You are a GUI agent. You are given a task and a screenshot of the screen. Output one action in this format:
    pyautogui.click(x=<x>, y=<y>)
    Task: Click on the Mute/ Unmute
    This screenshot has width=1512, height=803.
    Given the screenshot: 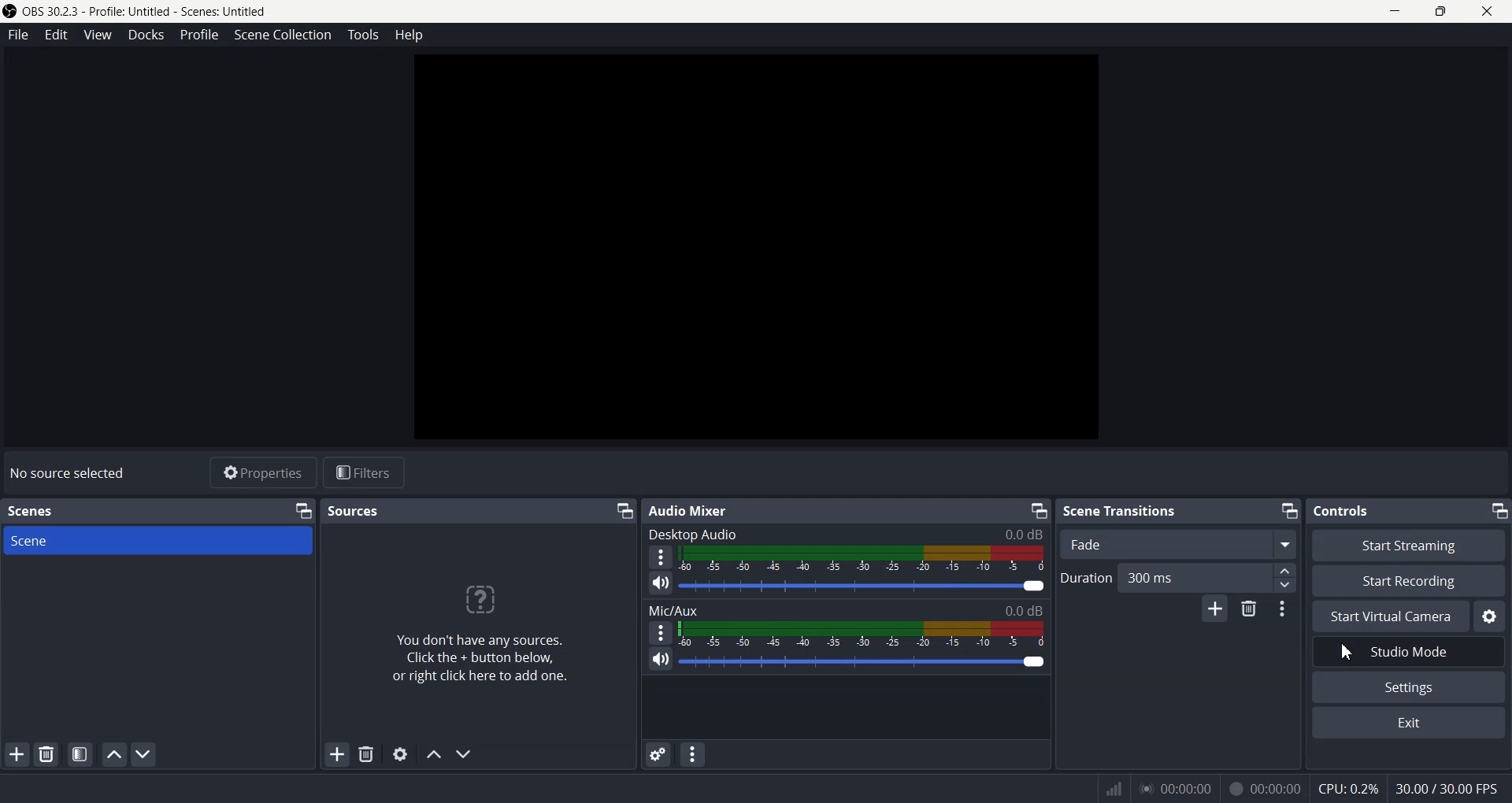 What is the action you would take?
    pyautogui.click(x=659, y=659)
    